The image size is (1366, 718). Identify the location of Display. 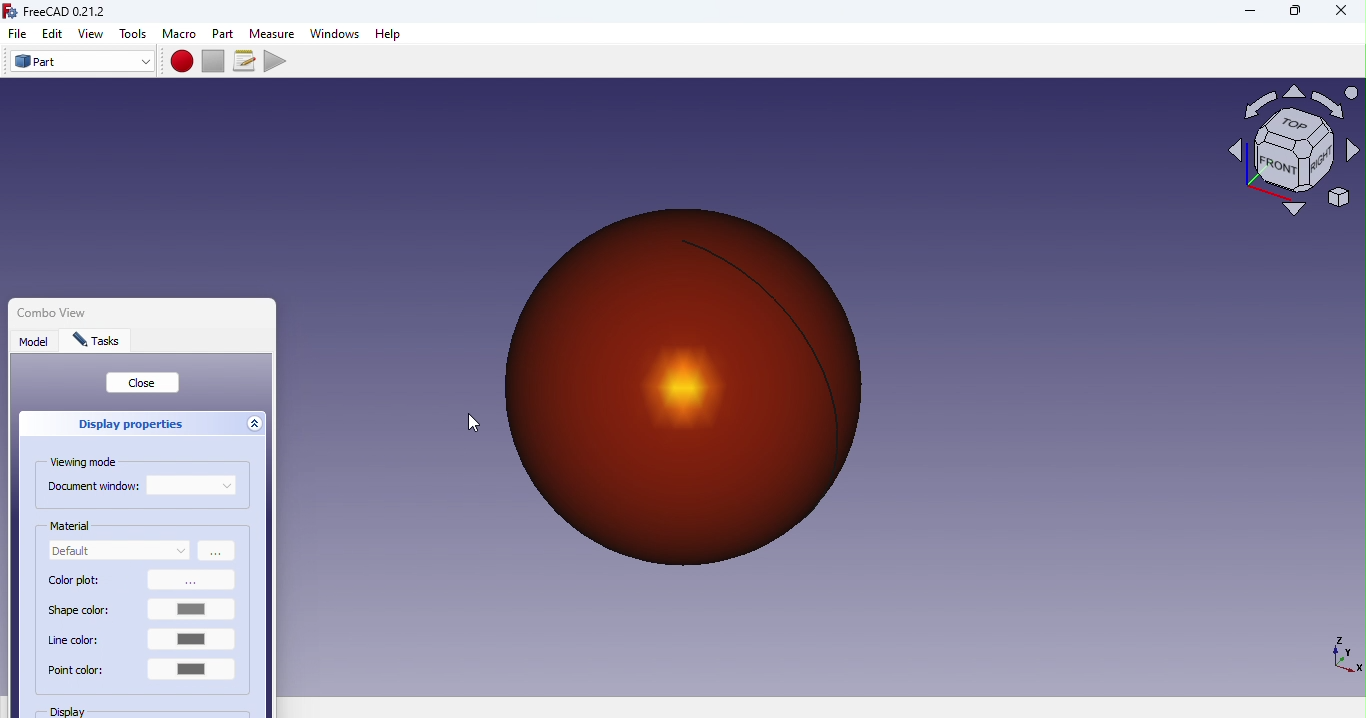
(96, 712).